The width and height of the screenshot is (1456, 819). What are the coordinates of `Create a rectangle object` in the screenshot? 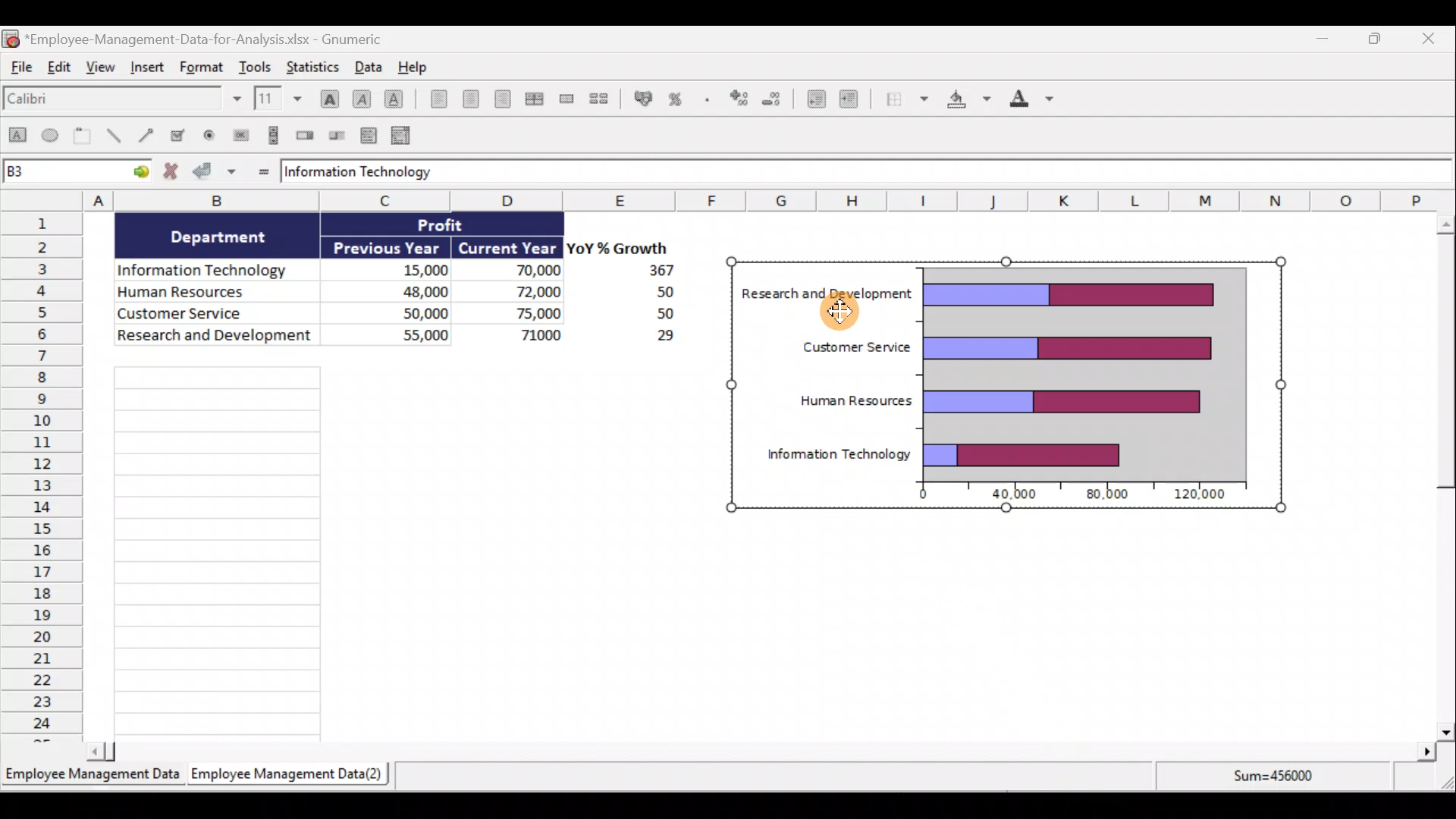 It's located at (17, 139).